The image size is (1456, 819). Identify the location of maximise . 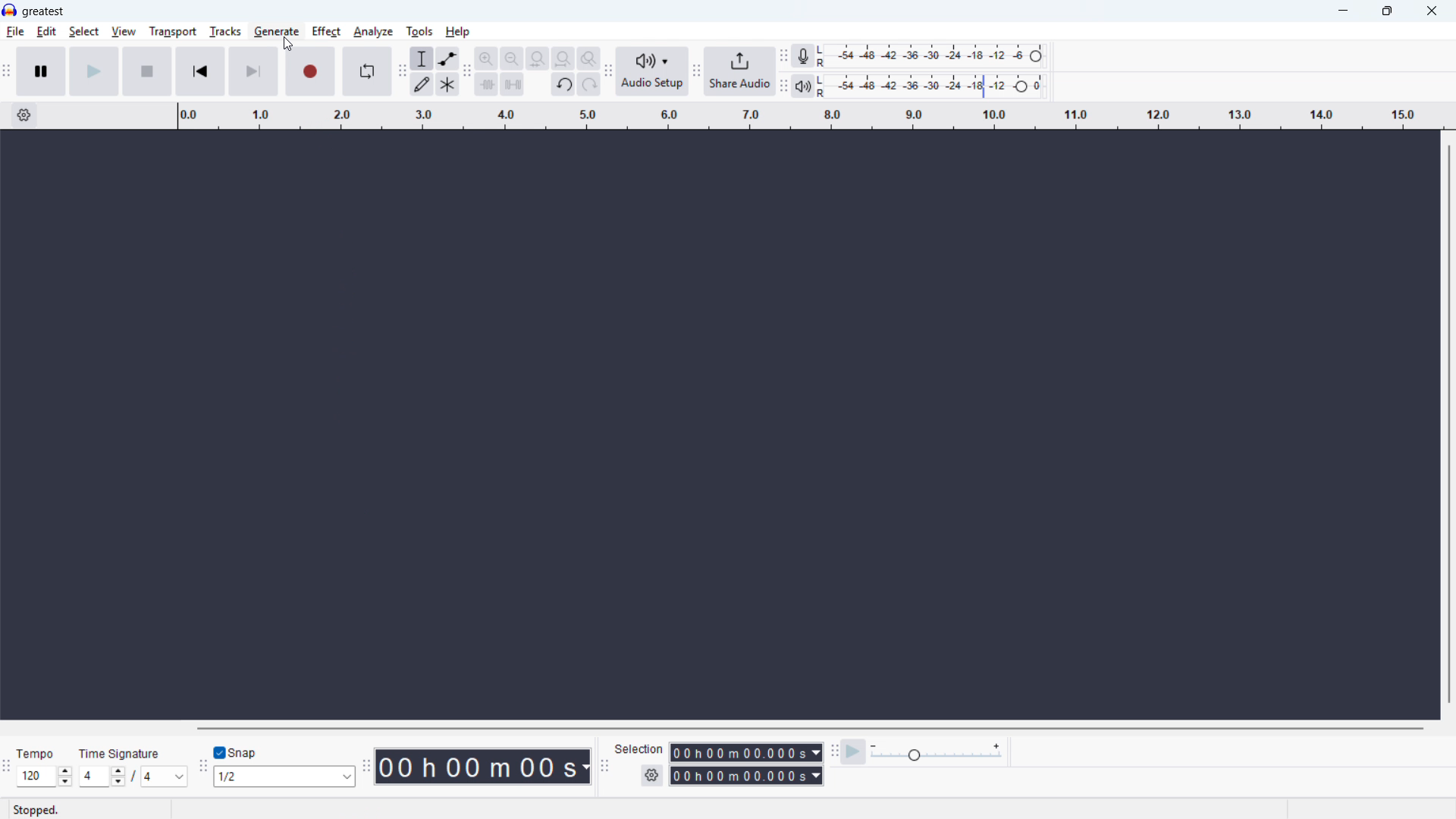
(1385, 11).